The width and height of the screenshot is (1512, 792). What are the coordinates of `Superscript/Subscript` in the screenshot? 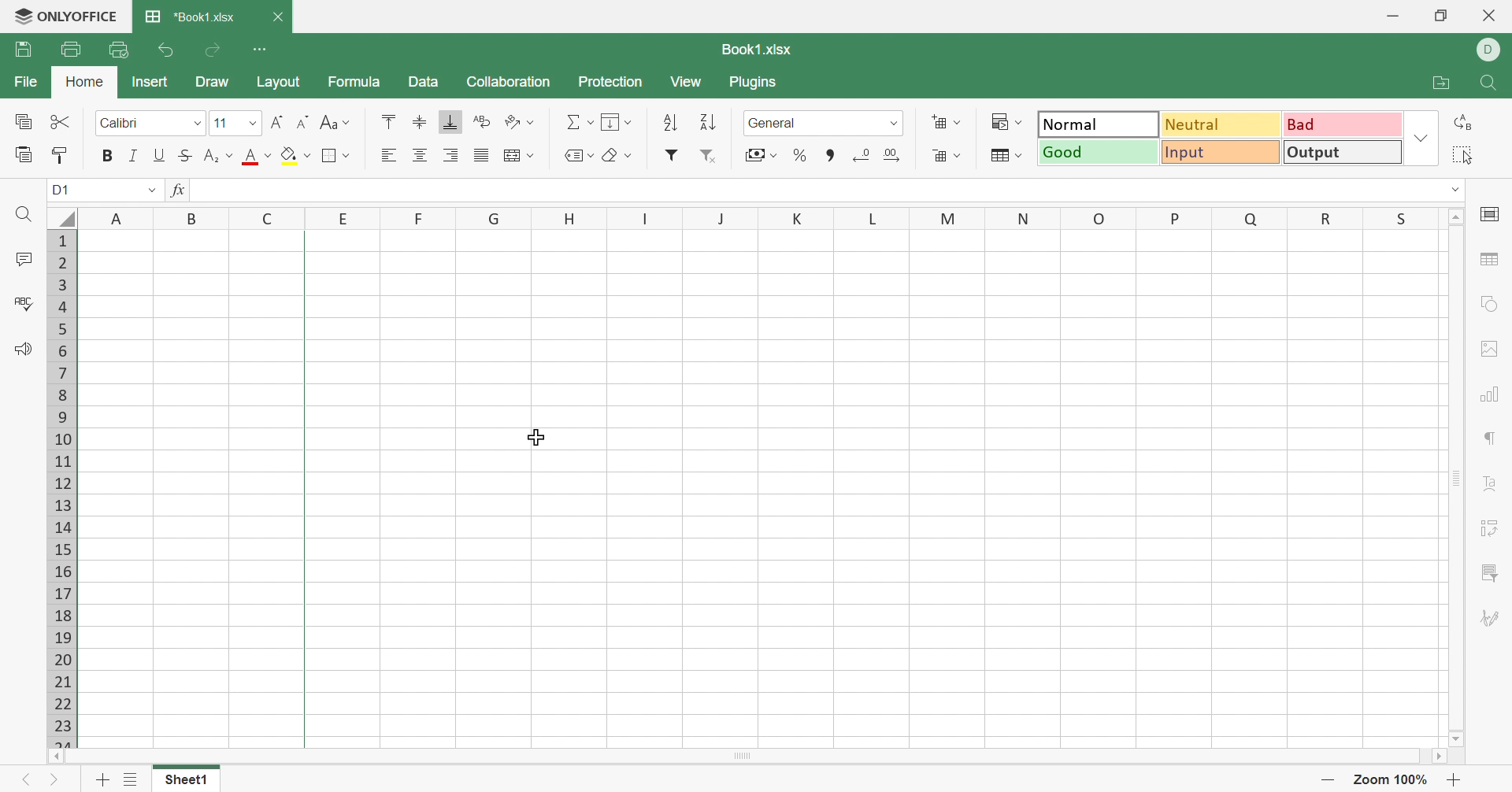 It's located at (212, 156).